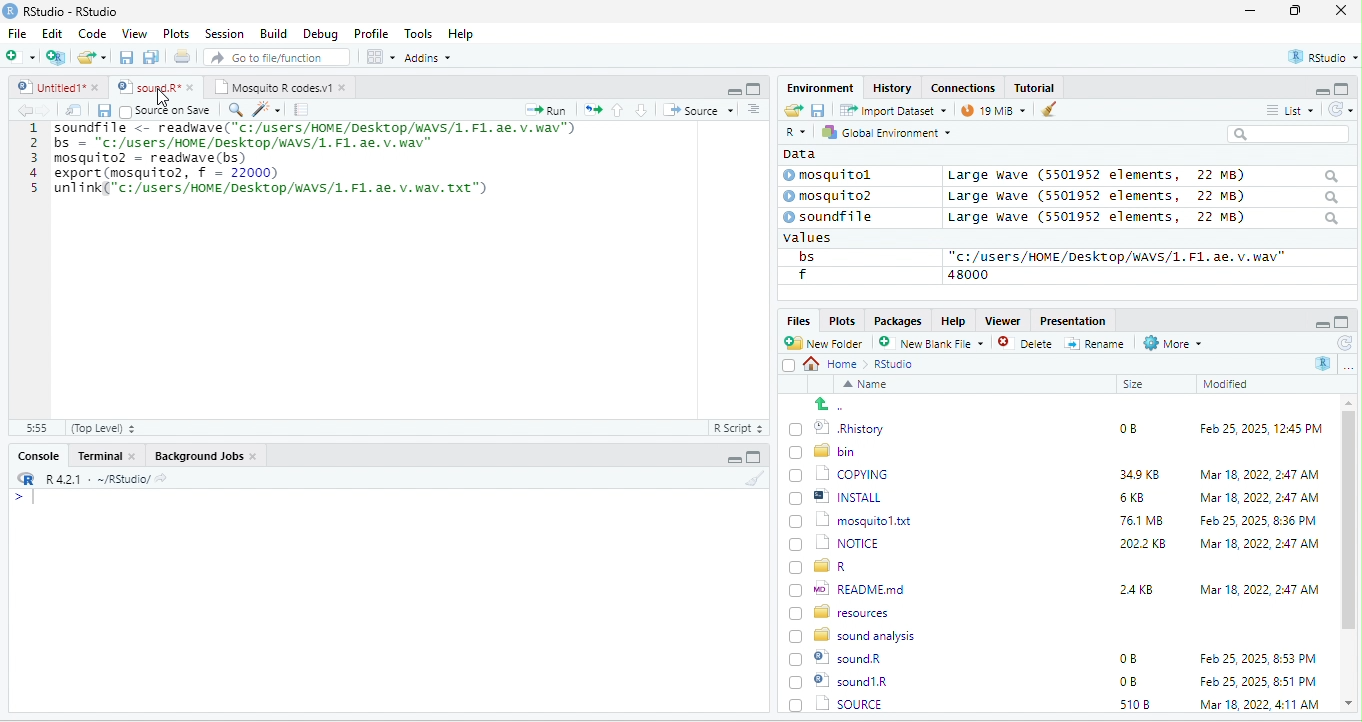 The width and height of the screenshot is (1362, 722). Describe the element at coordinates (28, 111) in the screenshot. I see `back` at that location.